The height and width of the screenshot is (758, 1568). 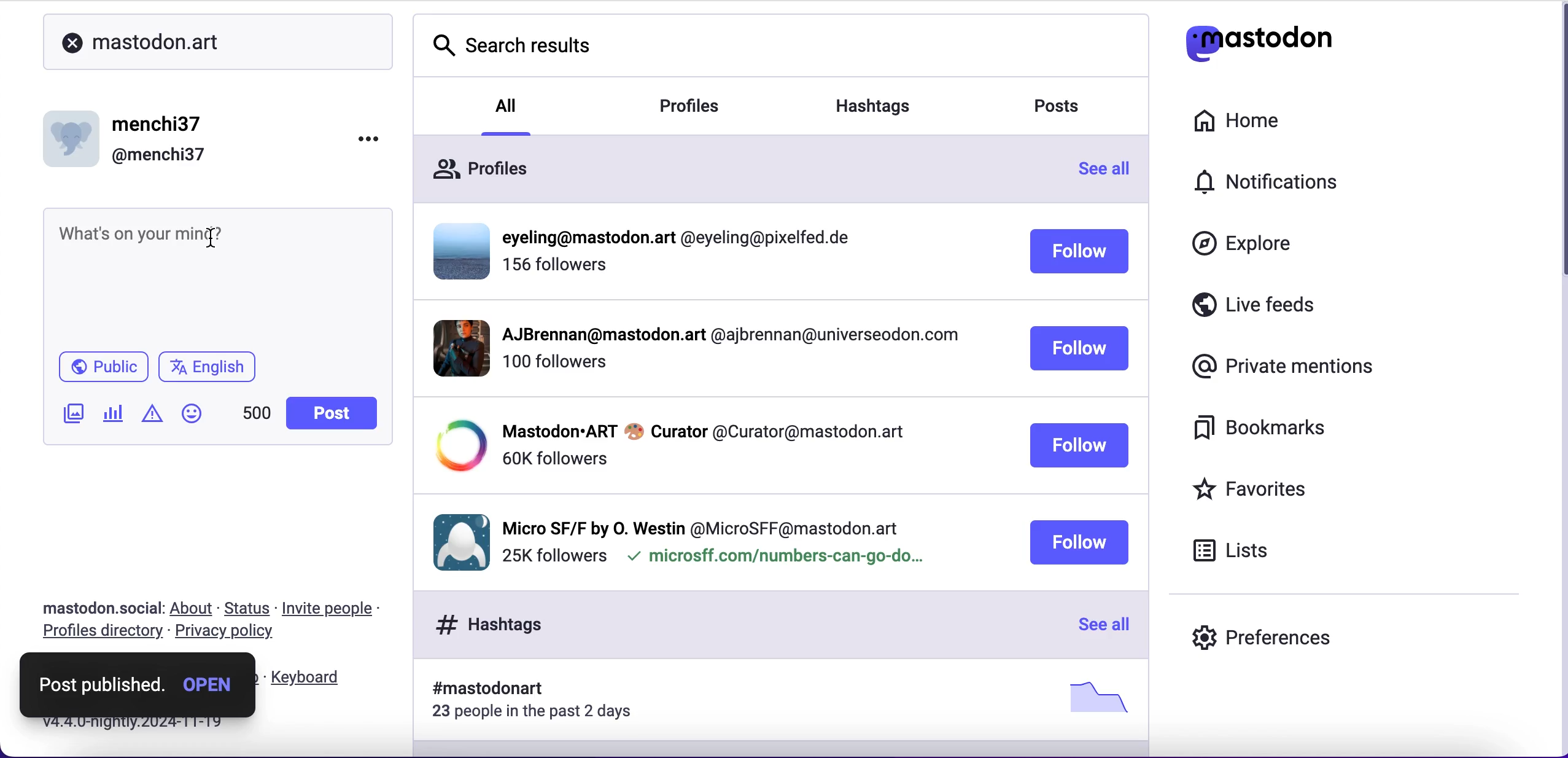 I want to click on follow, so click(x=1079, y=446).